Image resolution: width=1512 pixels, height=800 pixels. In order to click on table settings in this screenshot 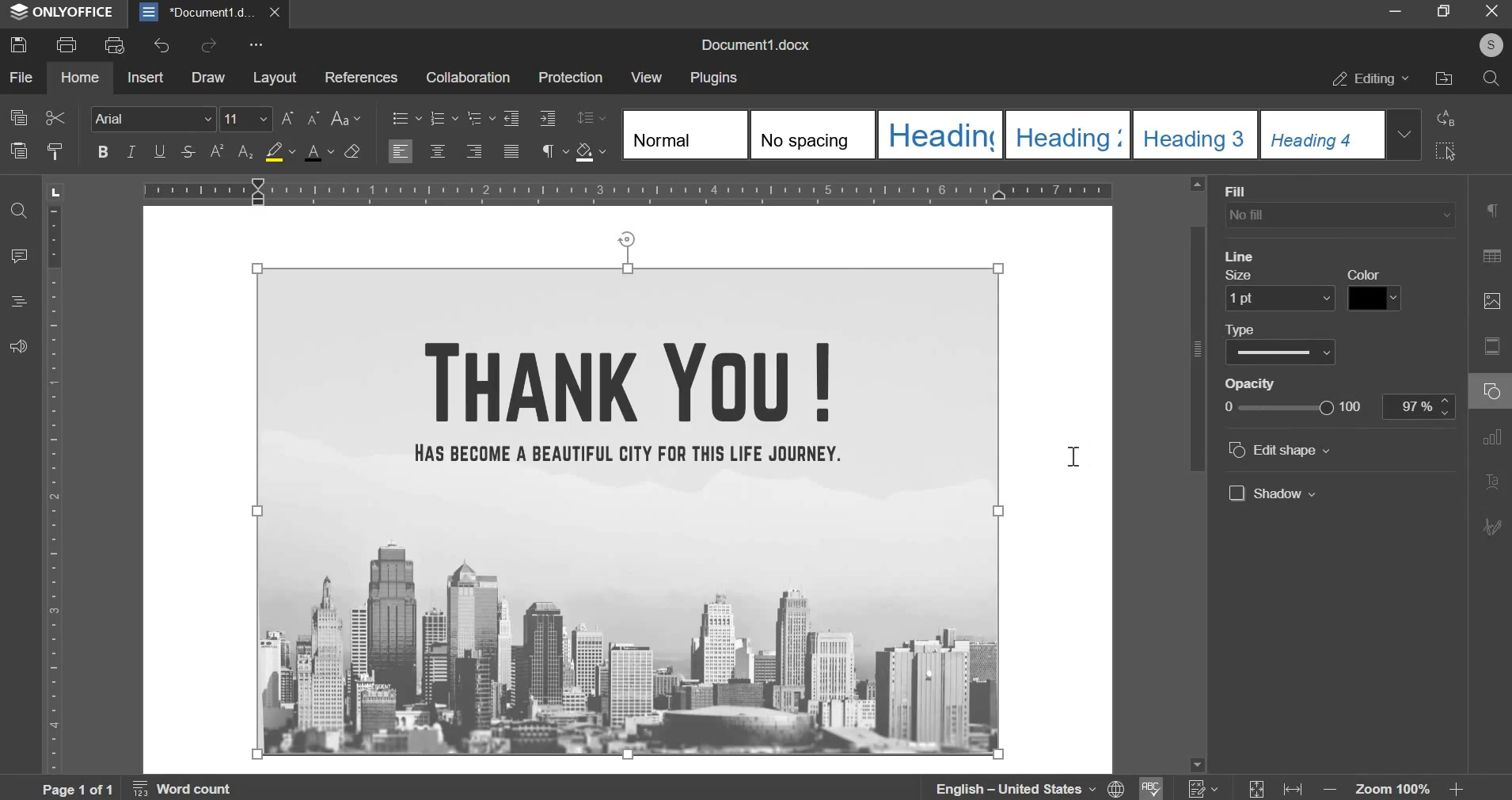, I will do `click(1493, 256)`.